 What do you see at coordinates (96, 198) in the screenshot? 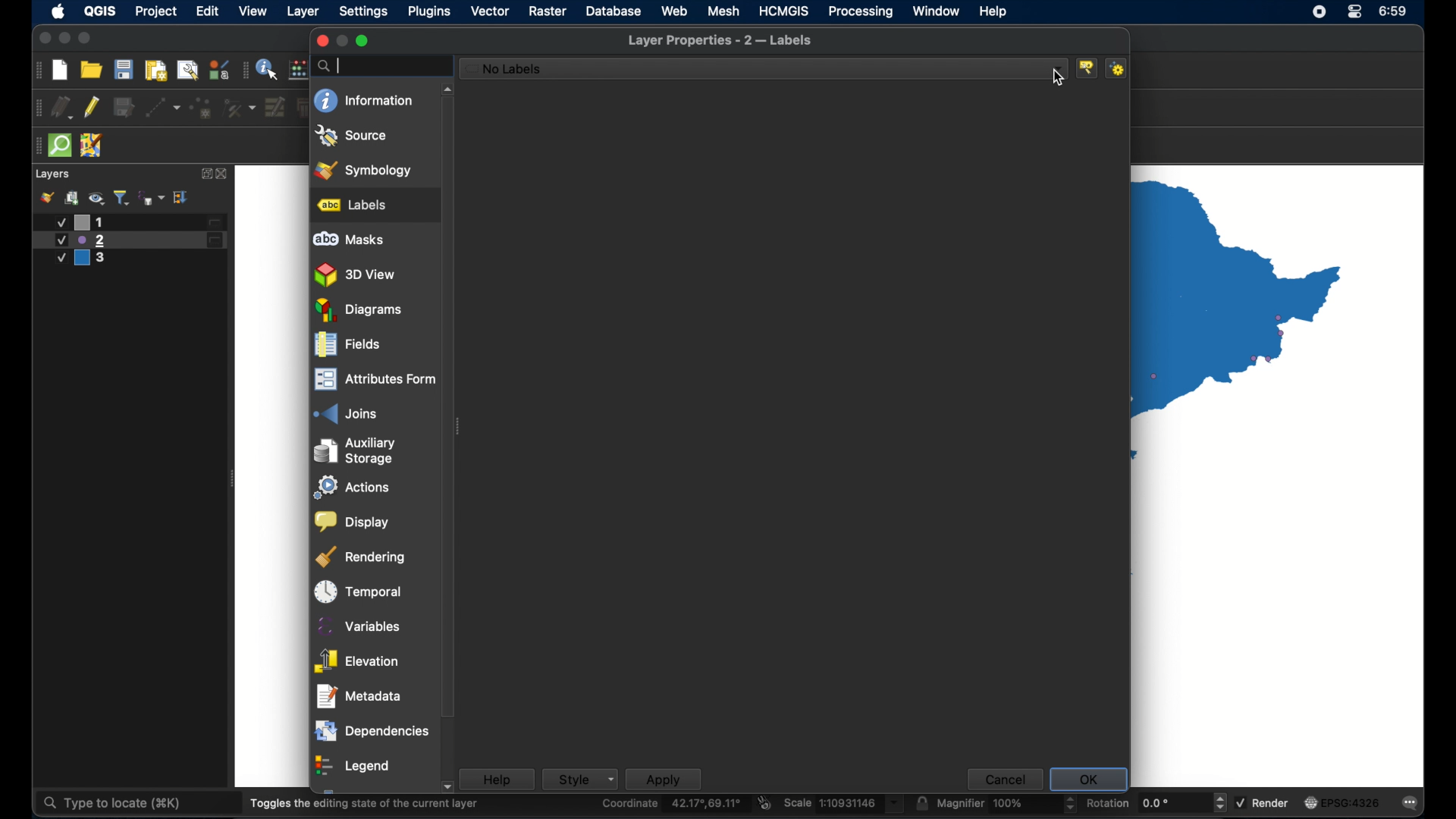
I see `manage map theme` at bounding box center [96, 198].